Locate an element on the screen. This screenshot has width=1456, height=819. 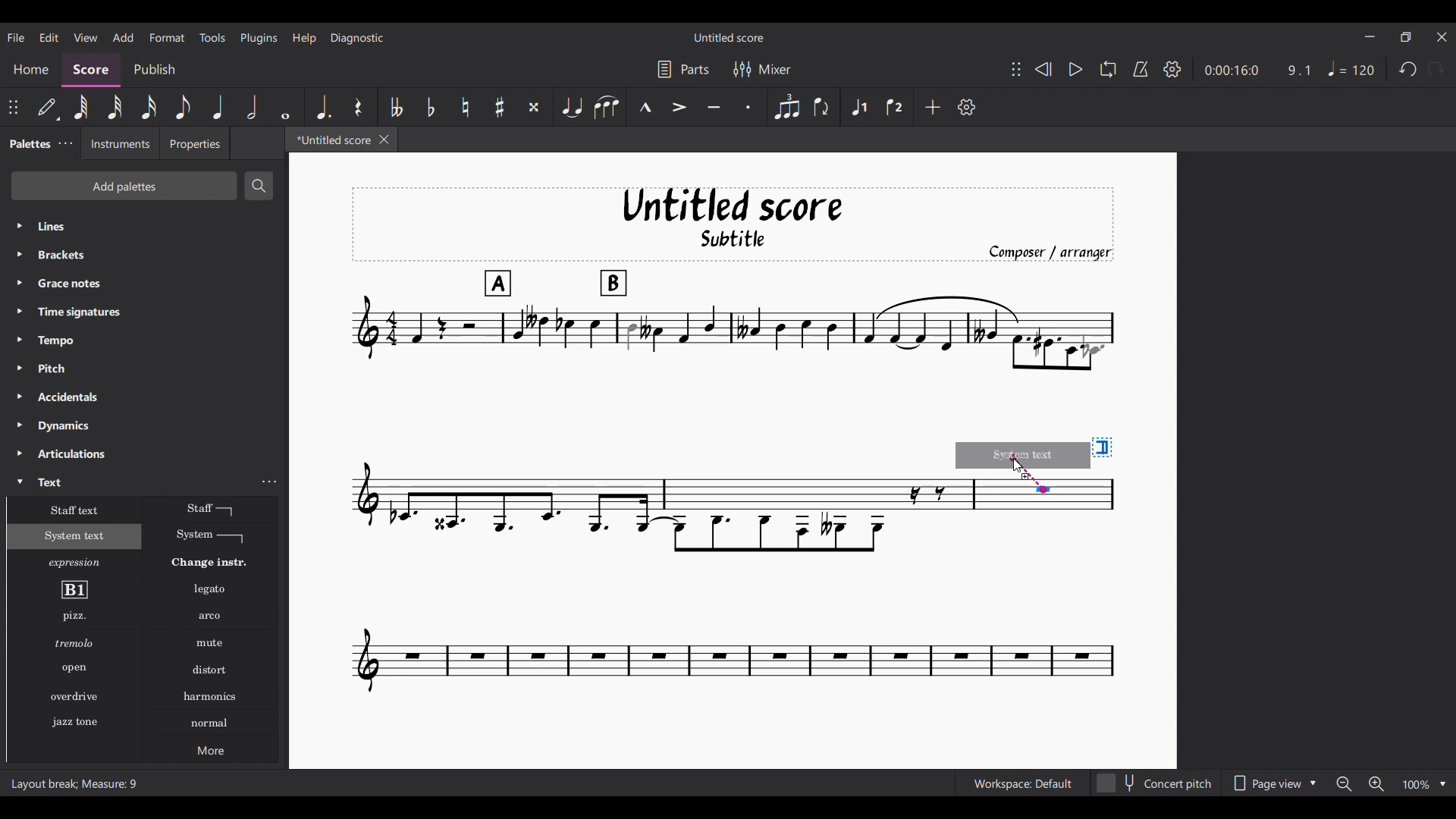
0:00:16:0 is located at coordinates (1232, 71).